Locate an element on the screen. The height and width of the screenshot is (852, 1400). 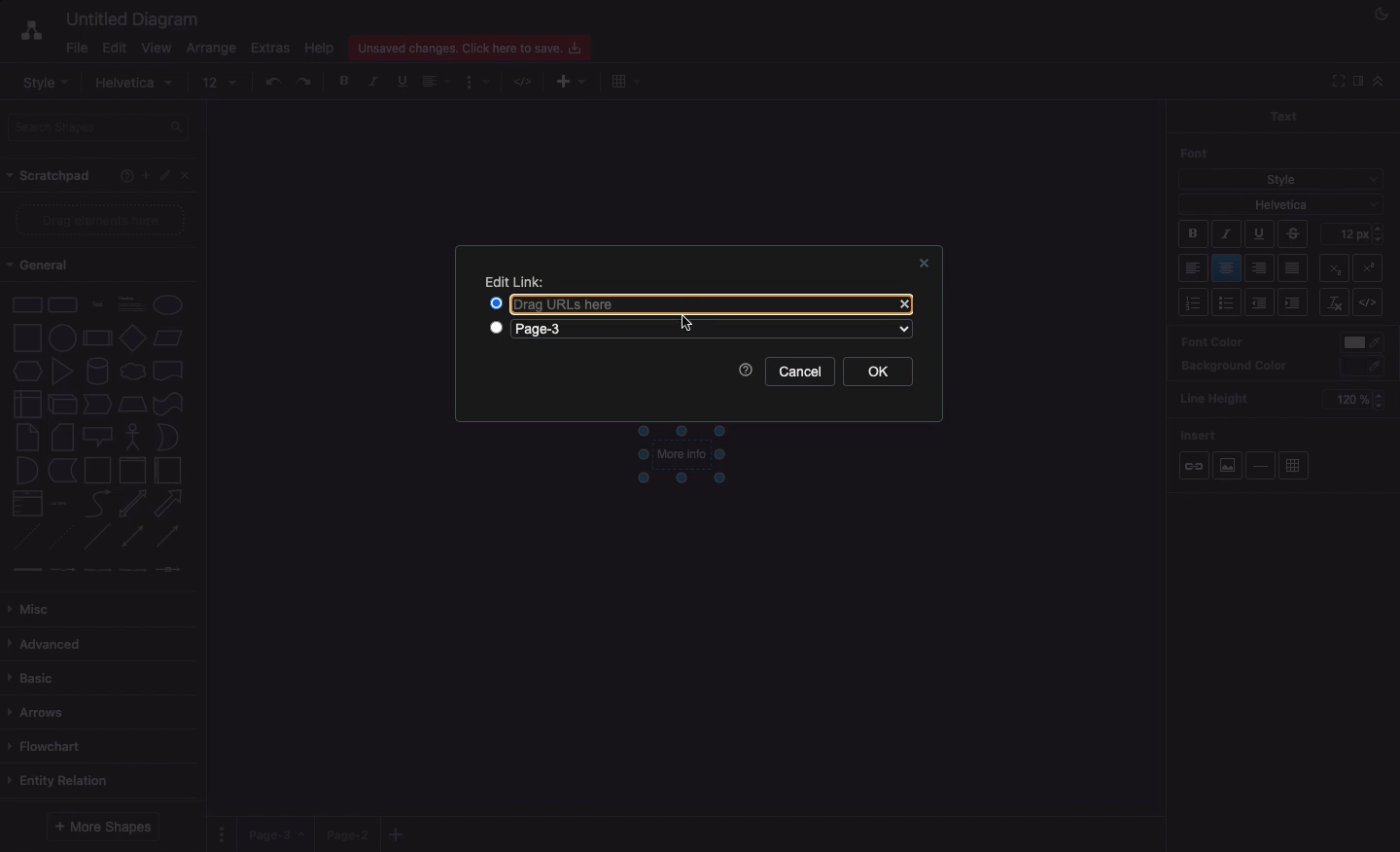
12 is located at coordinates (221, 83).